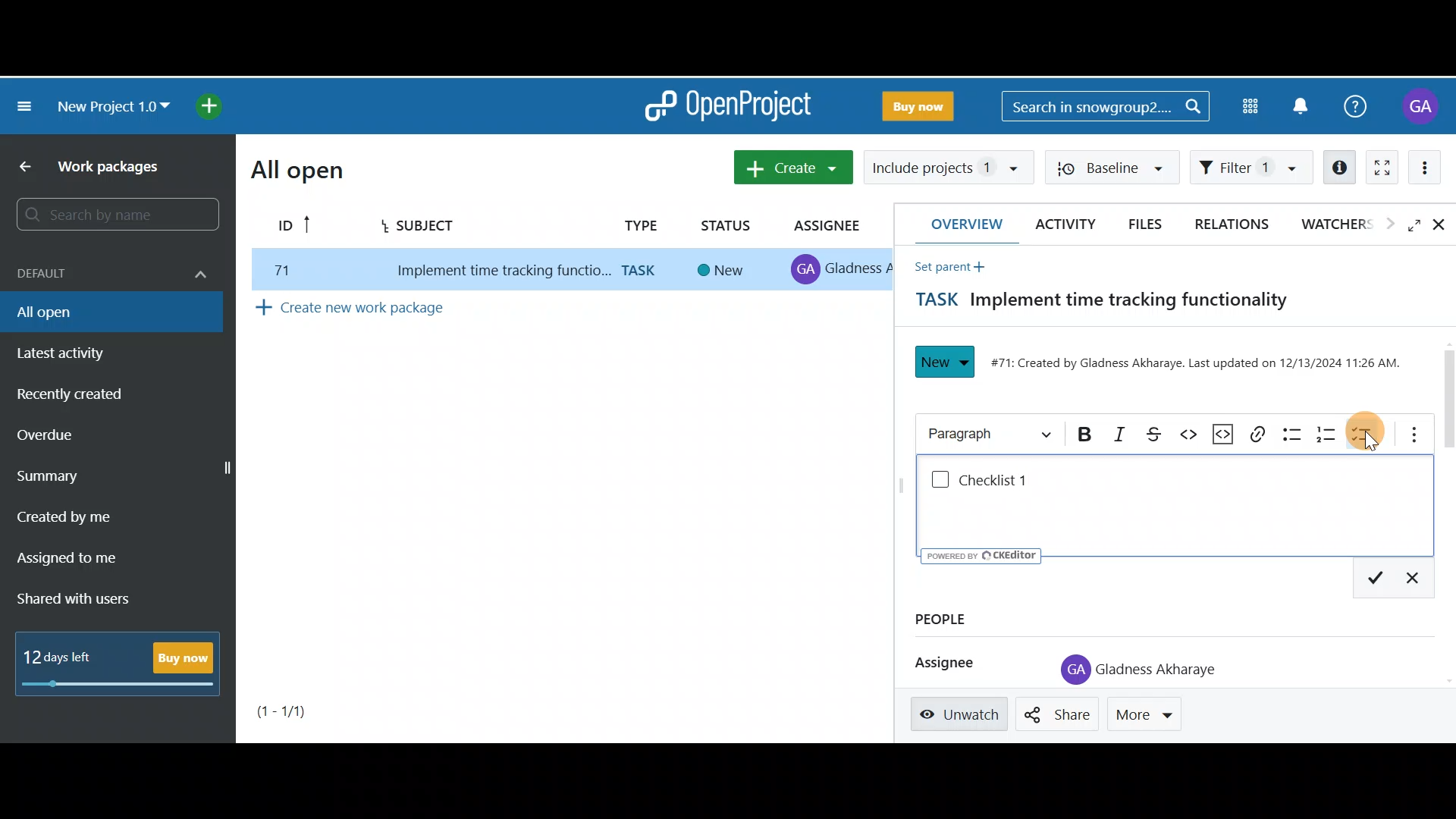 The height and width of the screenshot is (819, 1456). I want to click on gladness A, so click(860, 268).